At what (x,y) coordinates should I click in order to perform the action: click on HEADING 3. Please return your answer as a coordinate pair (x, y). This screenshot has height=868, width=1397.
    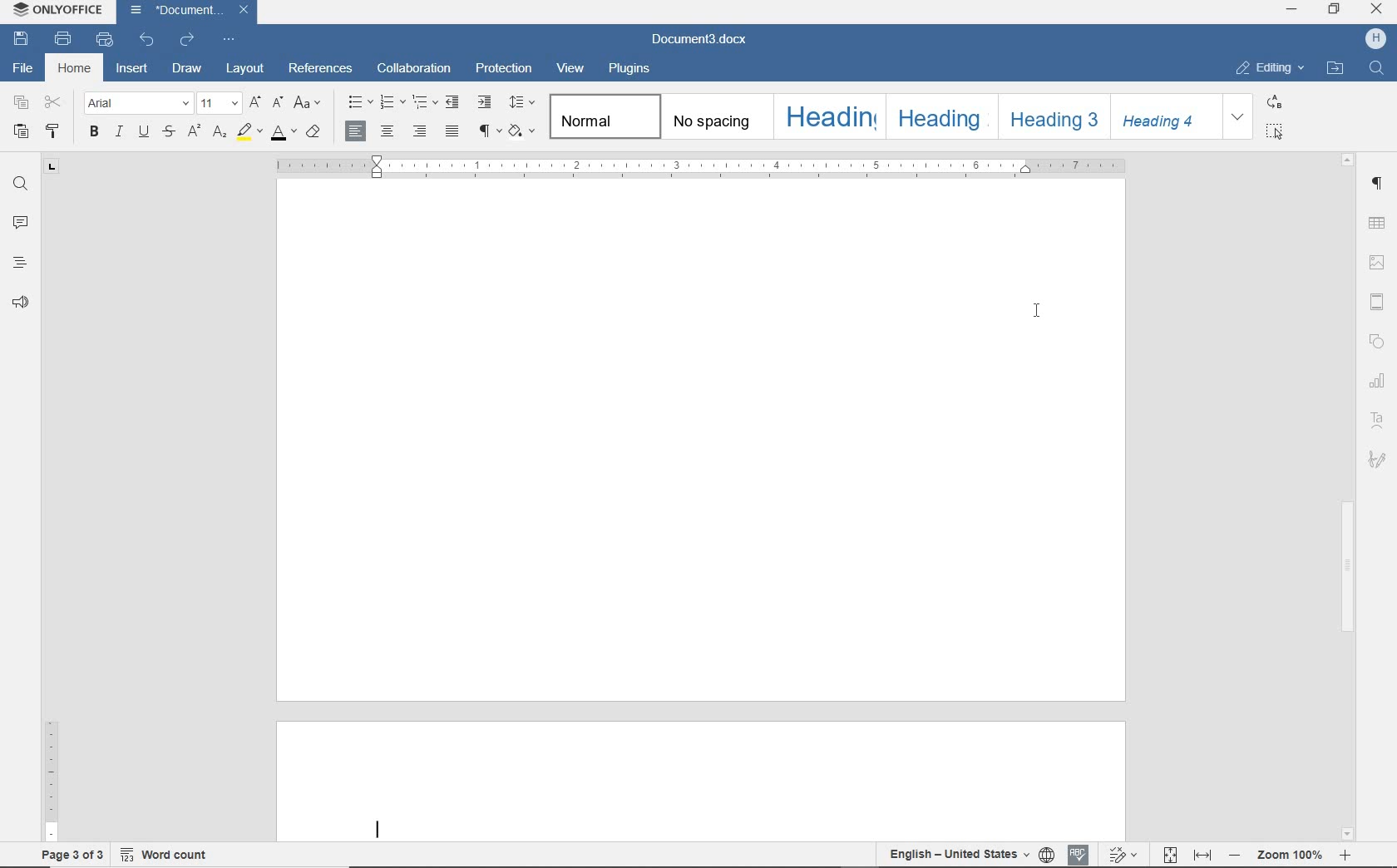
    Looking at the image, I should click on (1054, 118).